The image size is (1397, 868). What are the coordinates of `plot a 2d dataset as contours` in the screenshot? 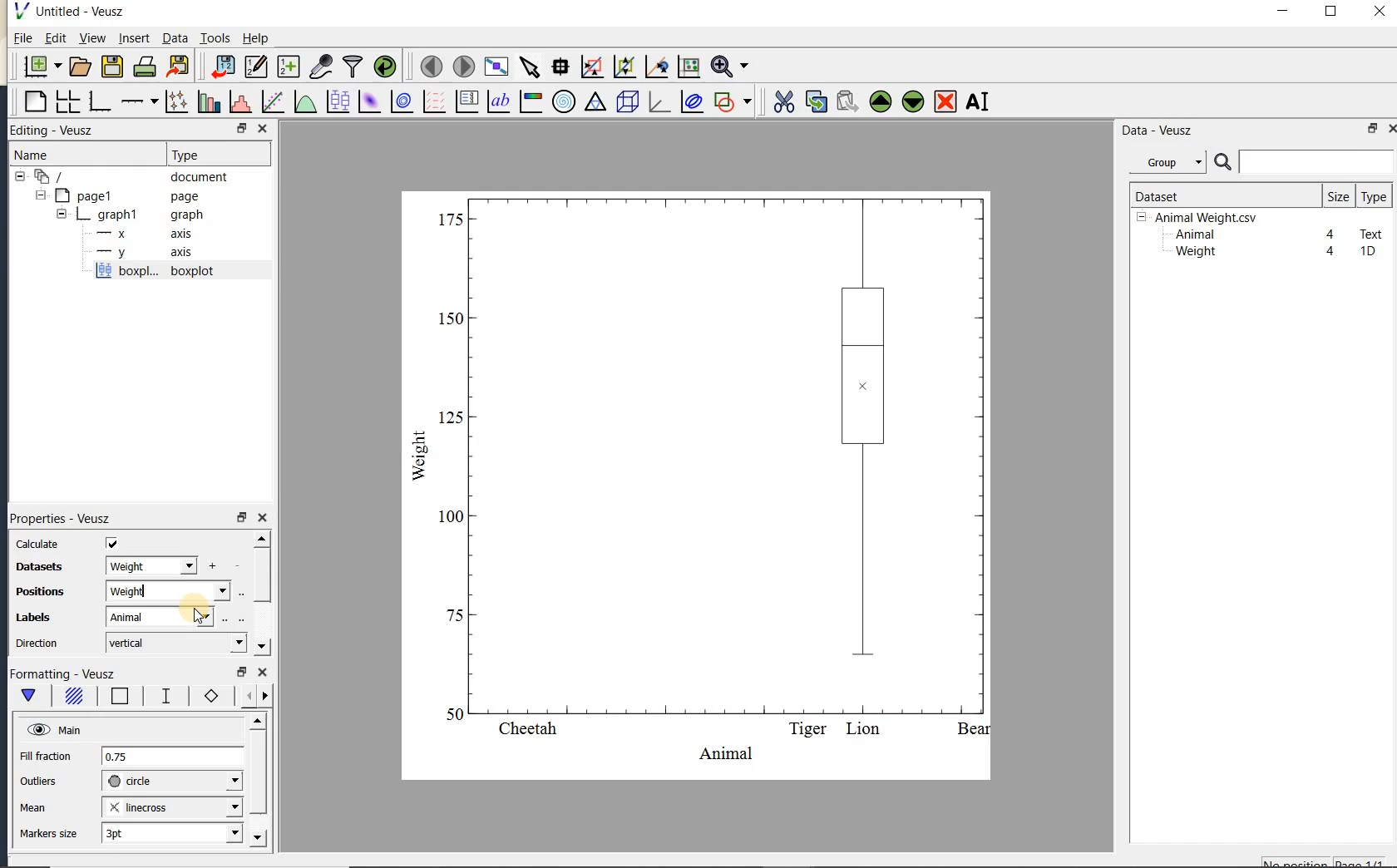 It's located at (400, 101).